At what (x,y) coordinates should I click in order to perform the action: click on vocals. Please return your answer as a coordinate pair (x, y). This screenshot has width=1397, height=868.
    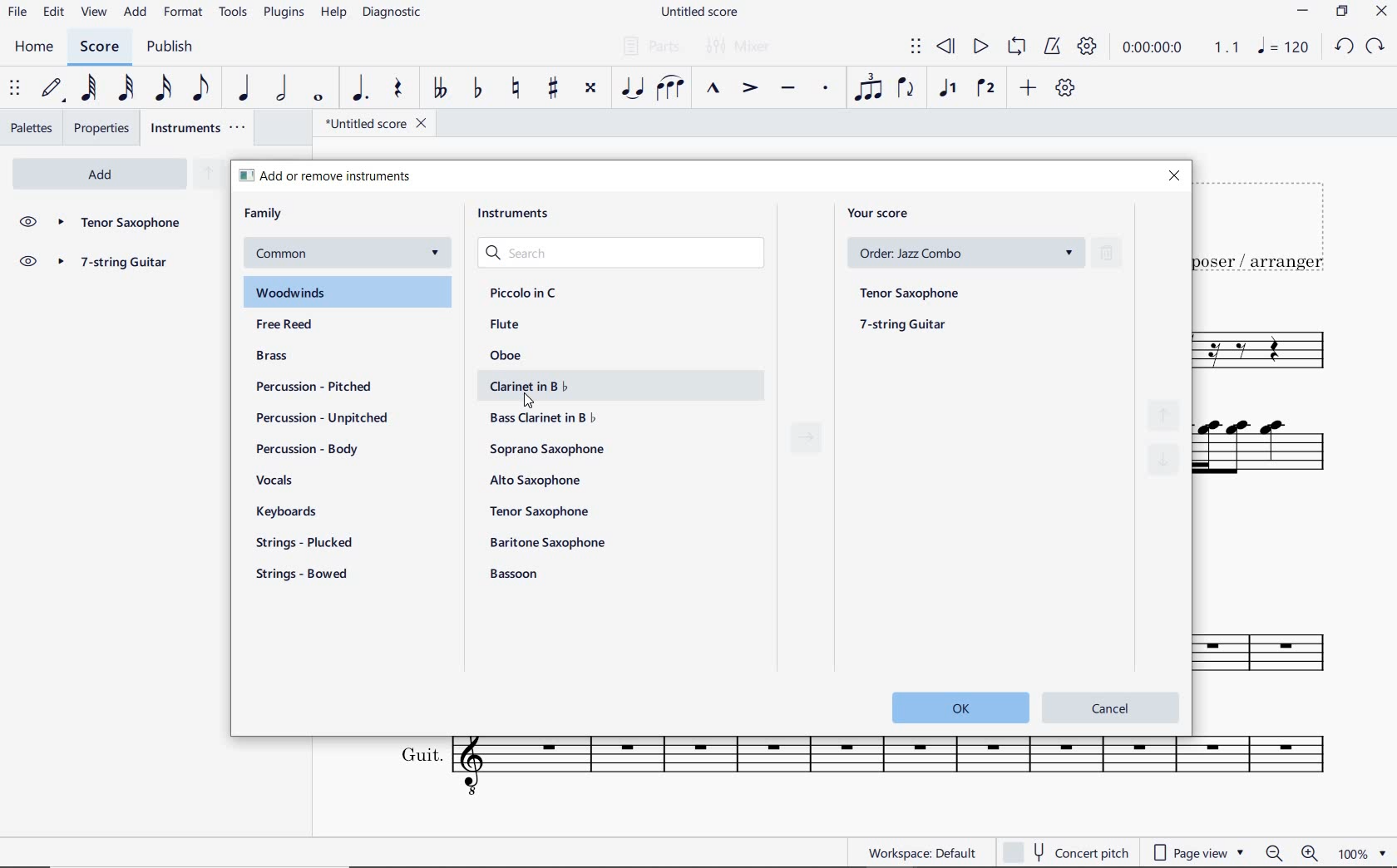
    Looking at the image, I should click on (275, 481).